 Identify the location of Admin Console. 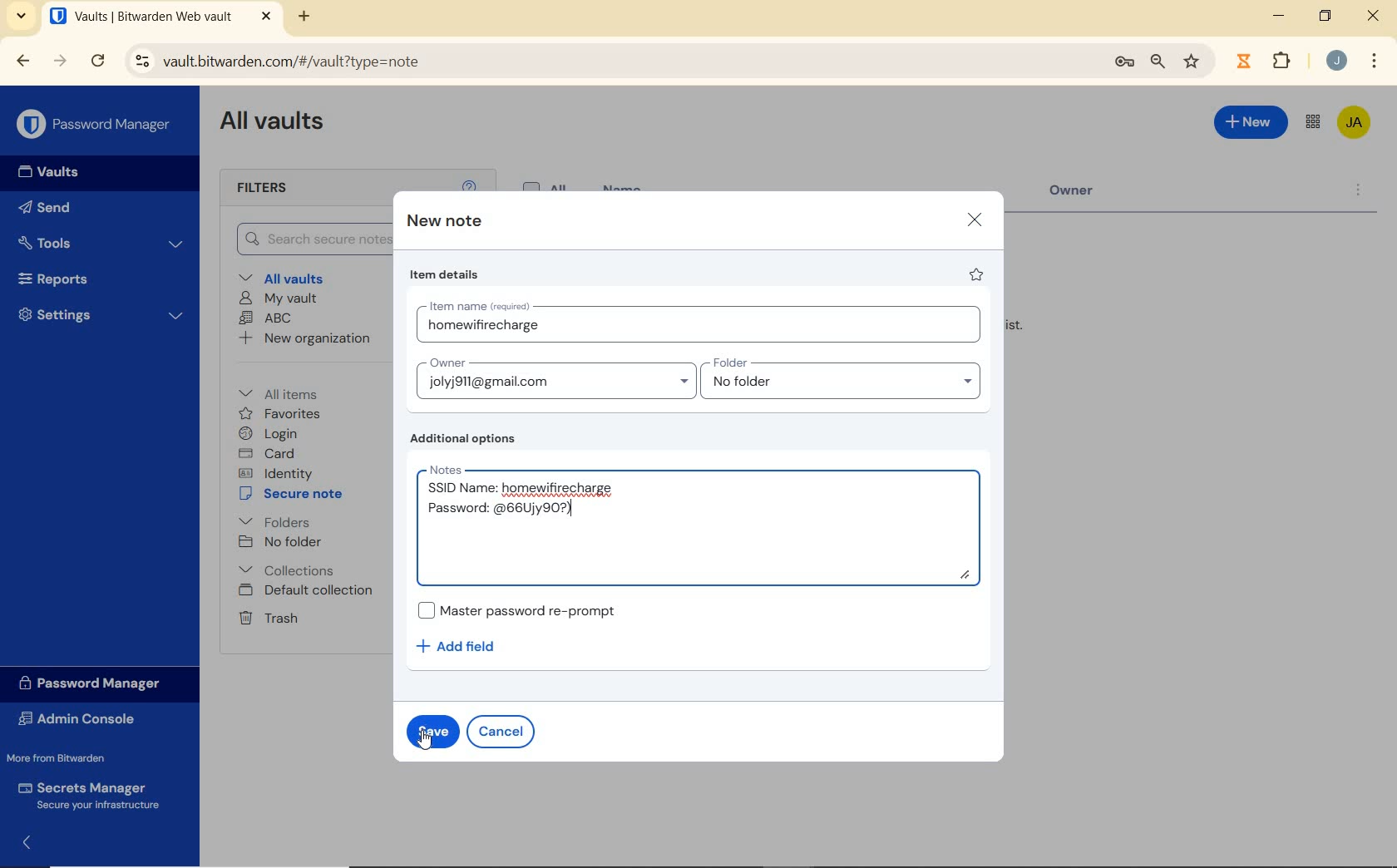
(86, 718).